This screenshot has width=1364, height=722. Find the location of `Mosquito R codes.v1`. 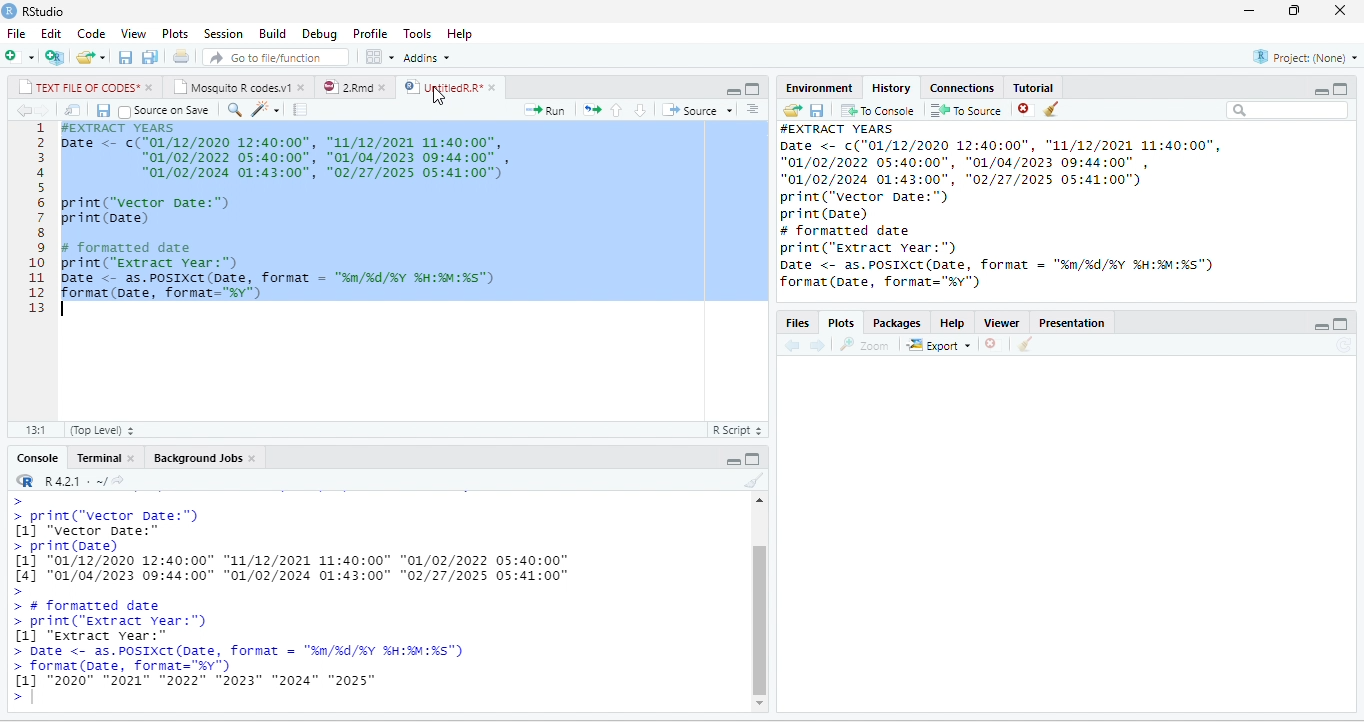

Mosquito R codes.v1 is located at coordinates (232, 87).